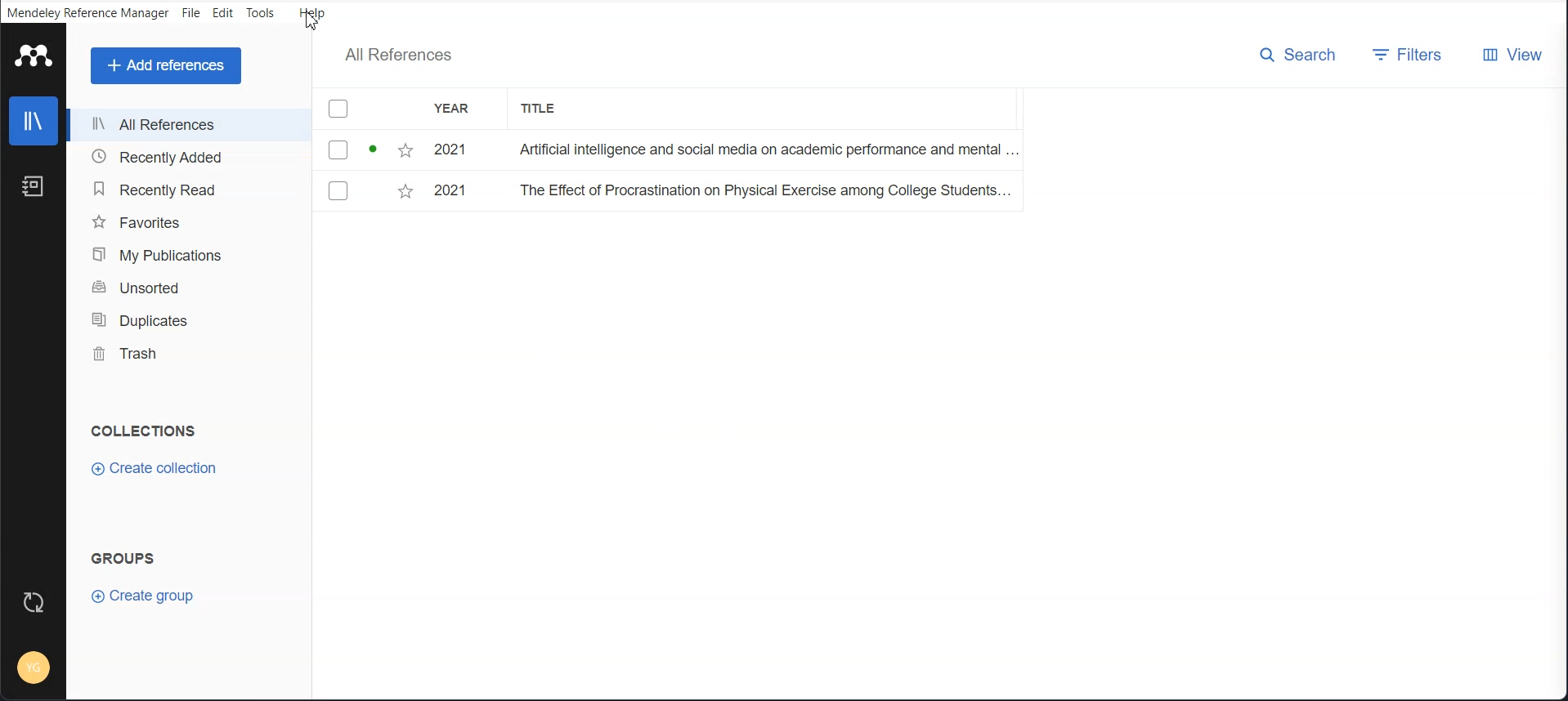  I want to click on Recently Added, so click(182, 158).